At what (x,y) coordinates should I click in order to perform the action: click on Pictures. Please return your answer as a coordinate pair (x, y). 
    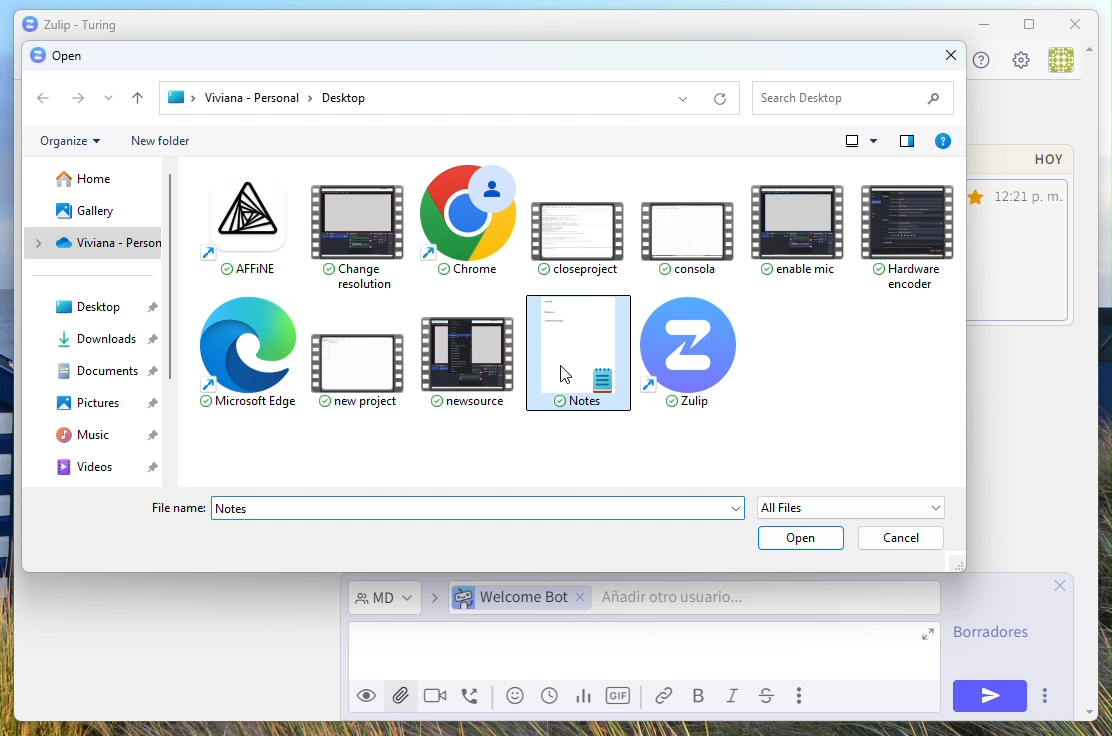
    Looking at the image, I should click on (108, 404).